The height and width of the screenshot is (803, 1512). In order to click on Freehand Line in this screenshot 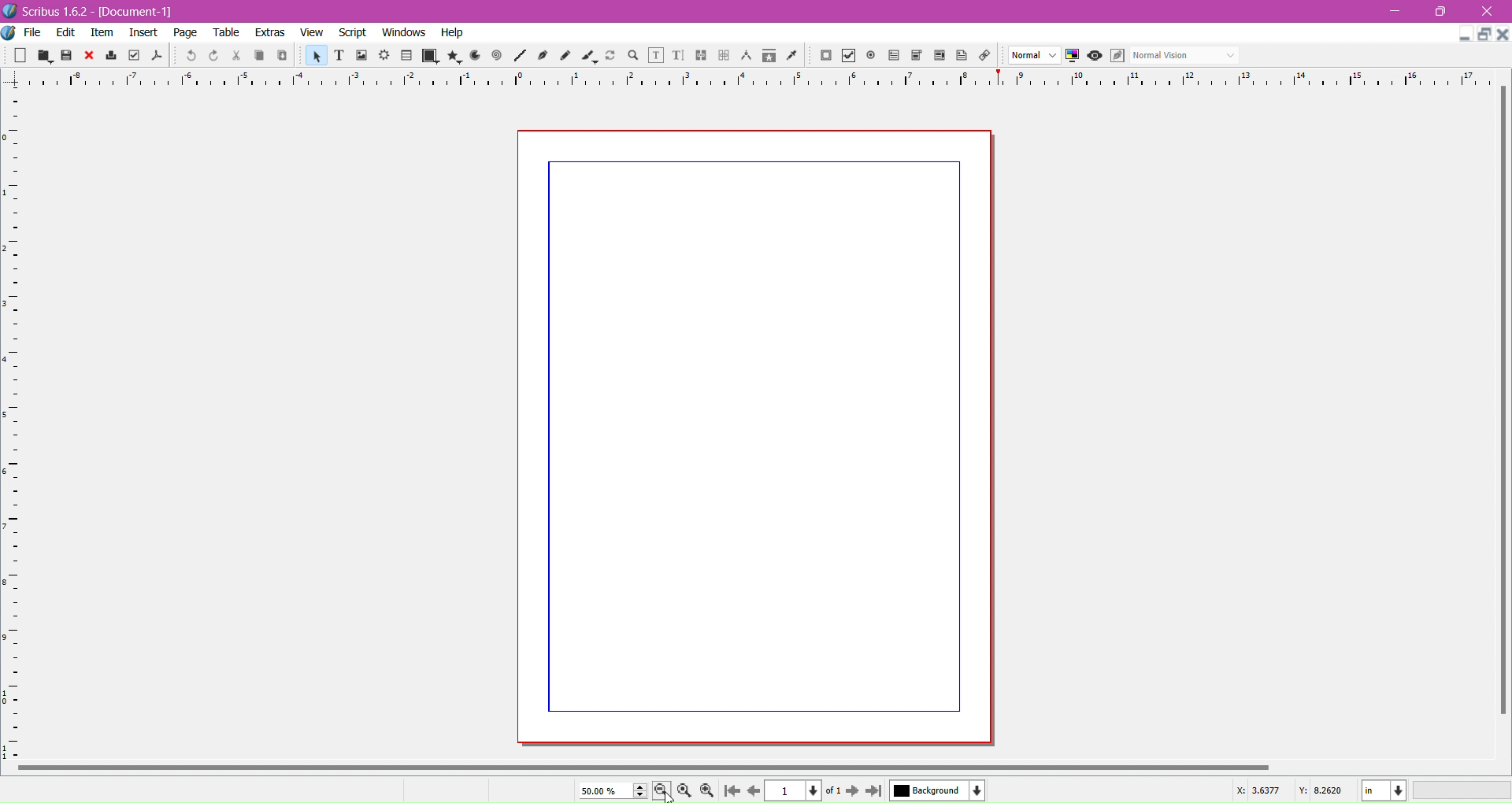, I will do `click(567, 56)`.